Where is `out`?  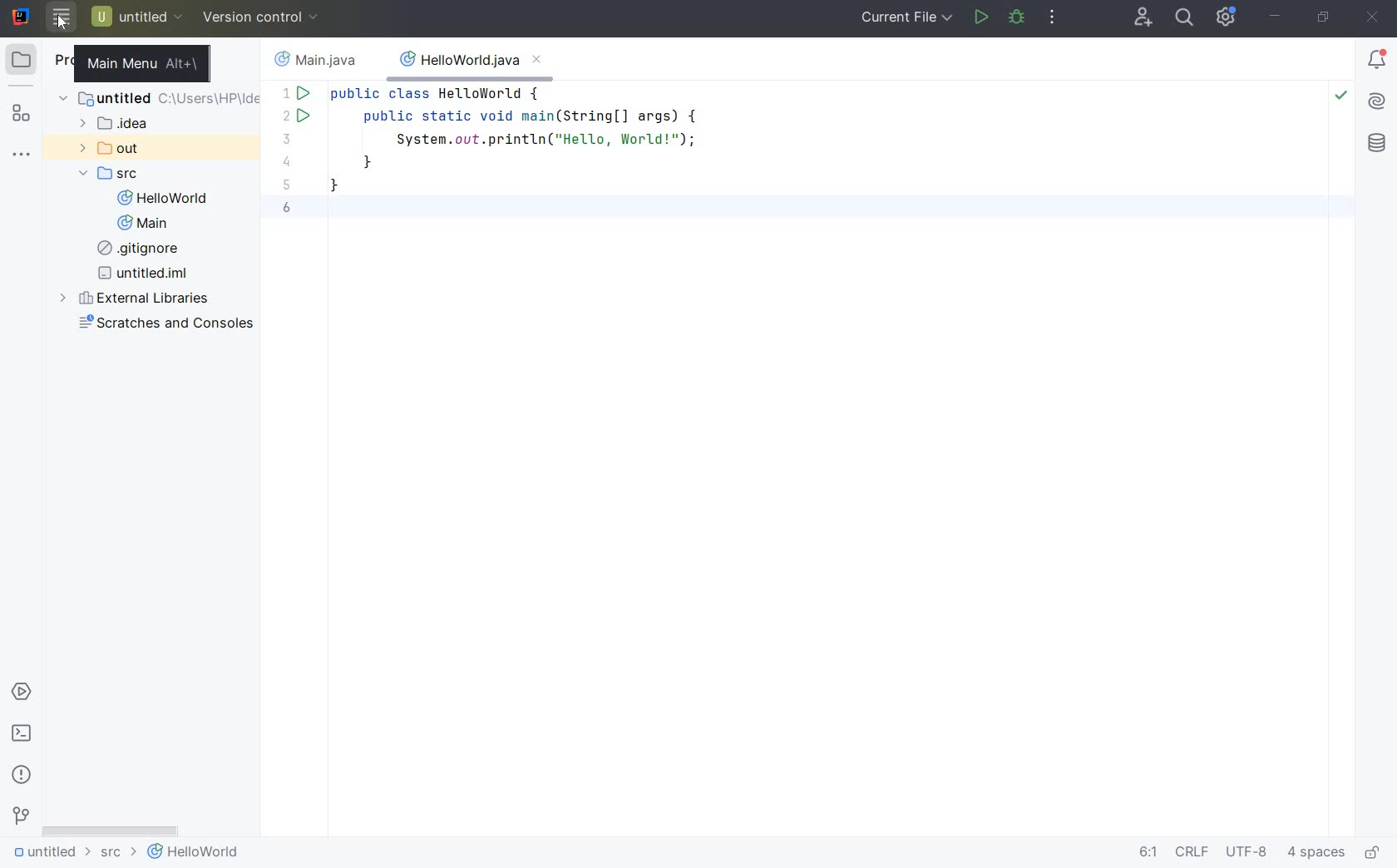
out is located at coordinates (109, 148).